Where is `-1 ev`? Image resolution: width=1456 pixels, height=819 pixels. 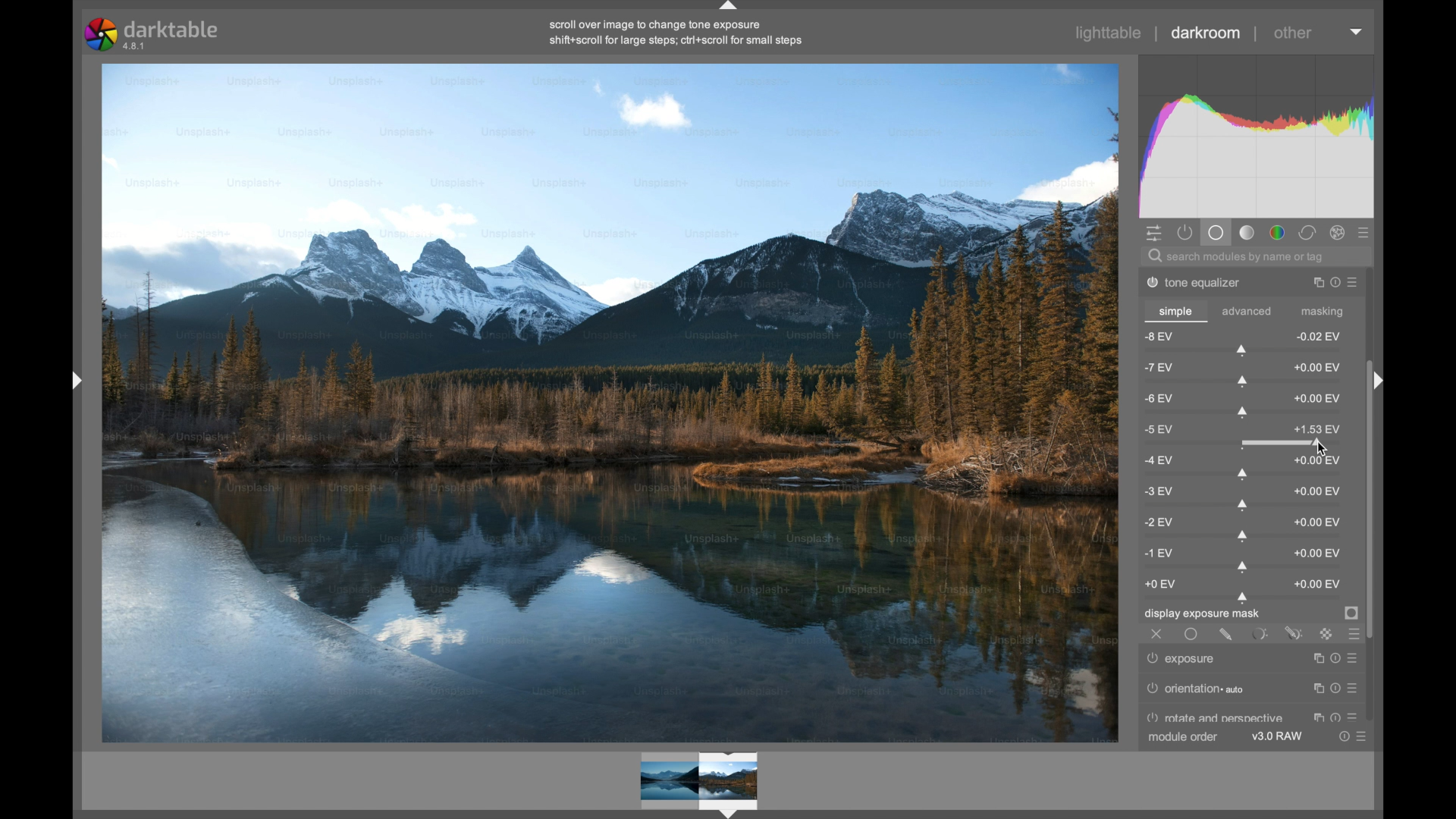 -1 ev is located at coordinates (1159, 553).